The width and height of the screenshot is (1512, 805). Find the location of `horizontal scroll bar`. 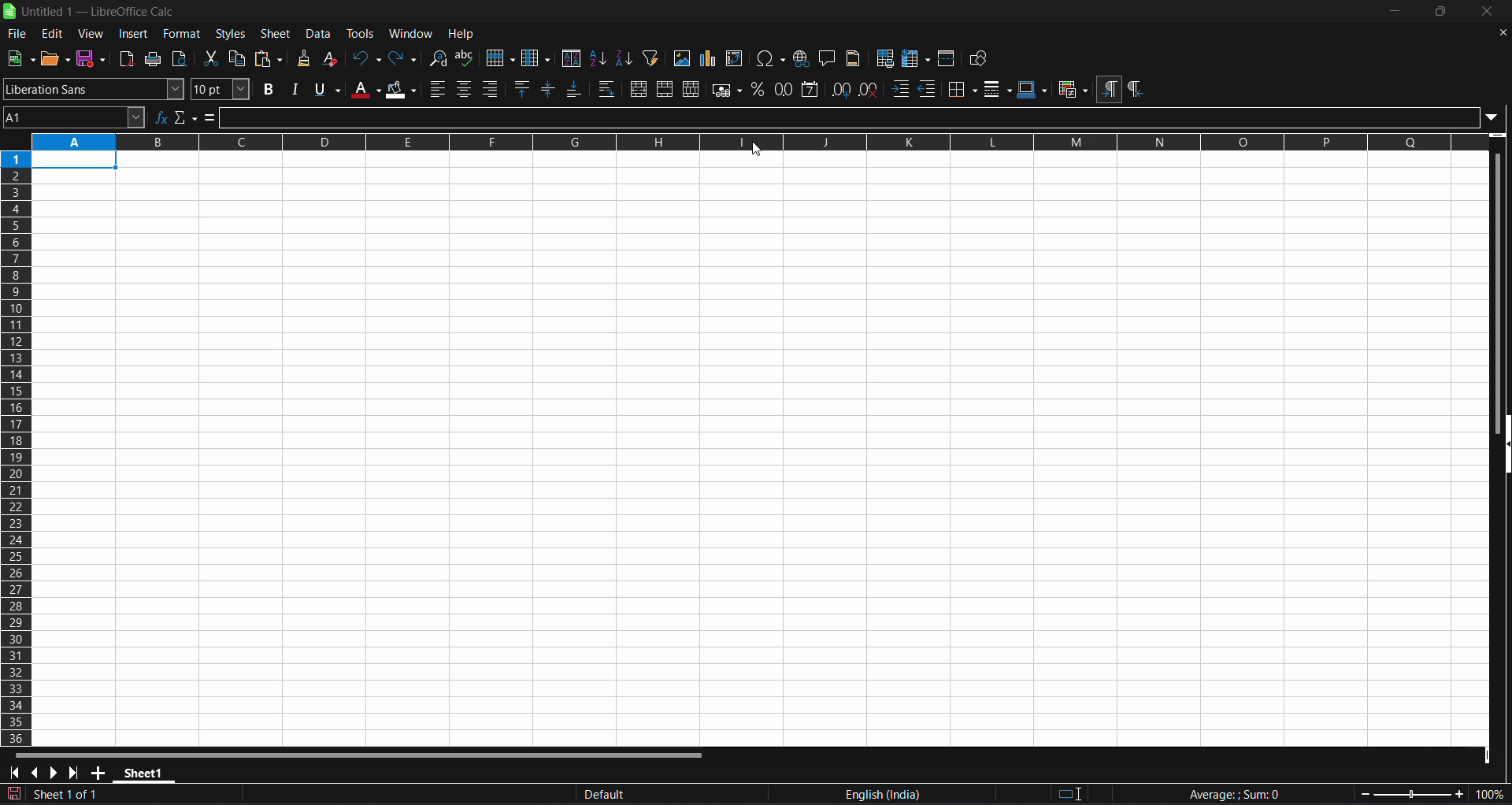

horizontal scroll bar is located at coordinates (361, 751).